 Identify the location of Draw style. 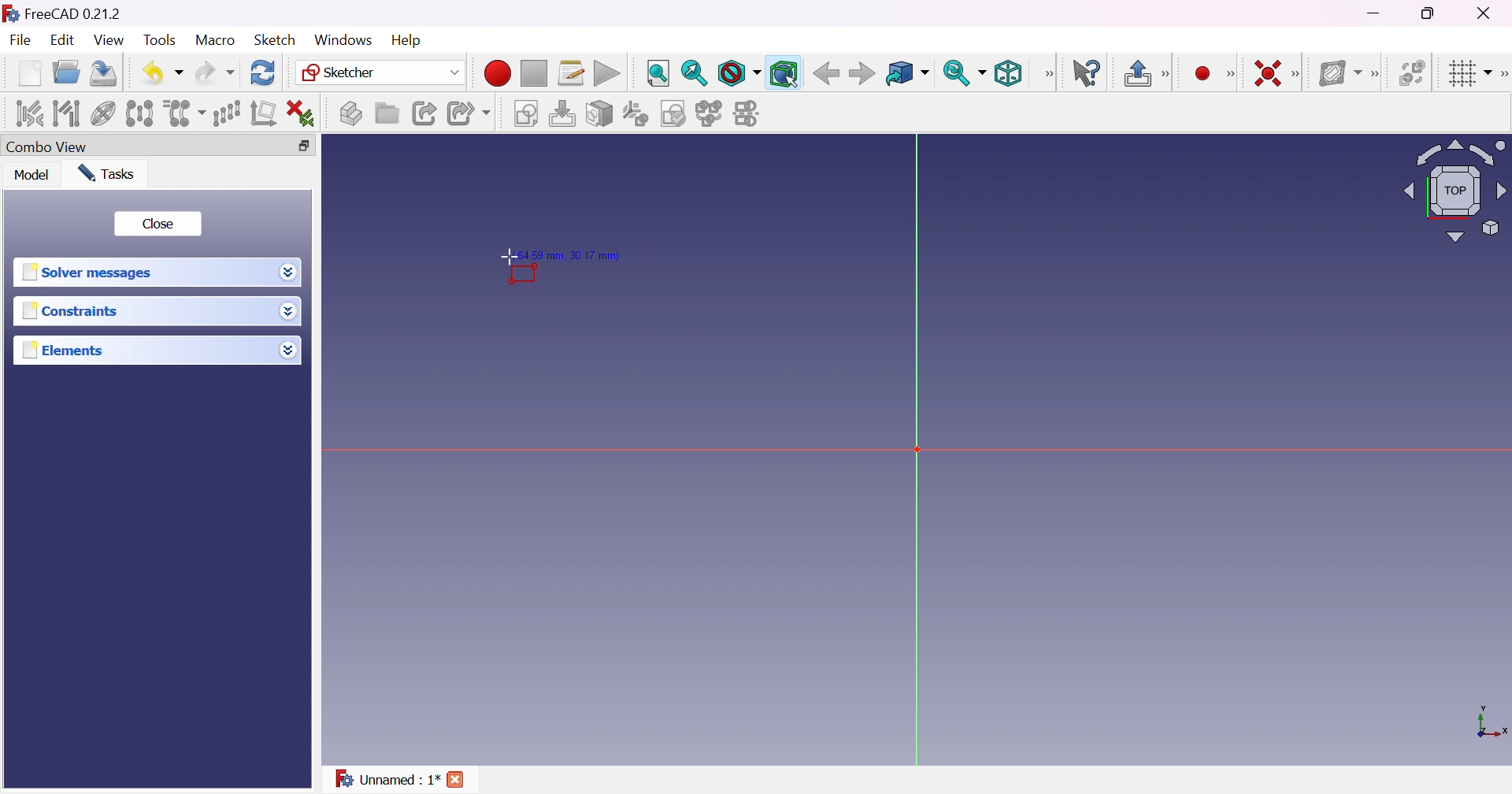
(738, 73).